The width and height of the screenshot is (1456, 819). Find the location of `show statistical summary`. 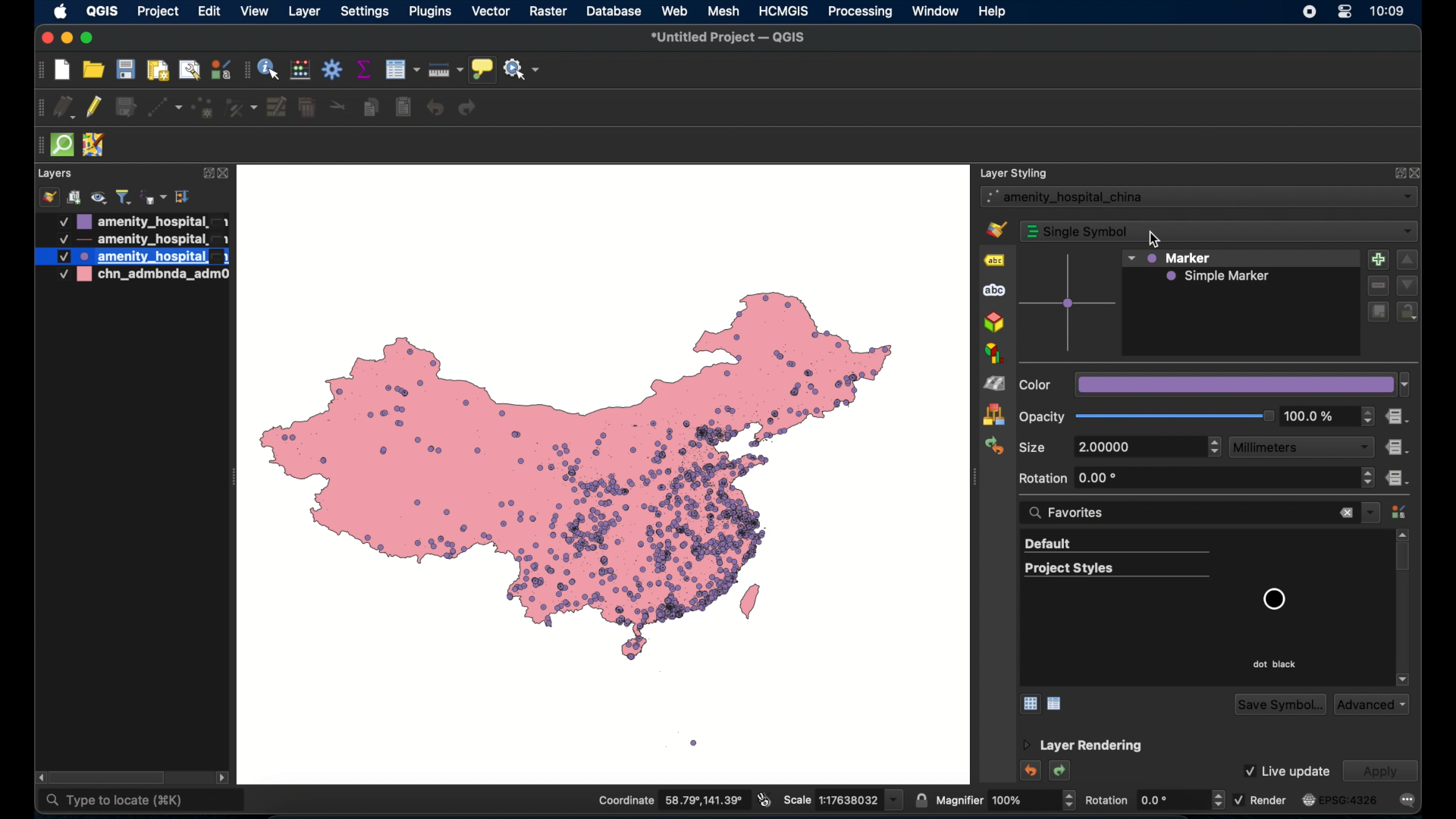

show statistical summary is located at coordinates (365, 70).